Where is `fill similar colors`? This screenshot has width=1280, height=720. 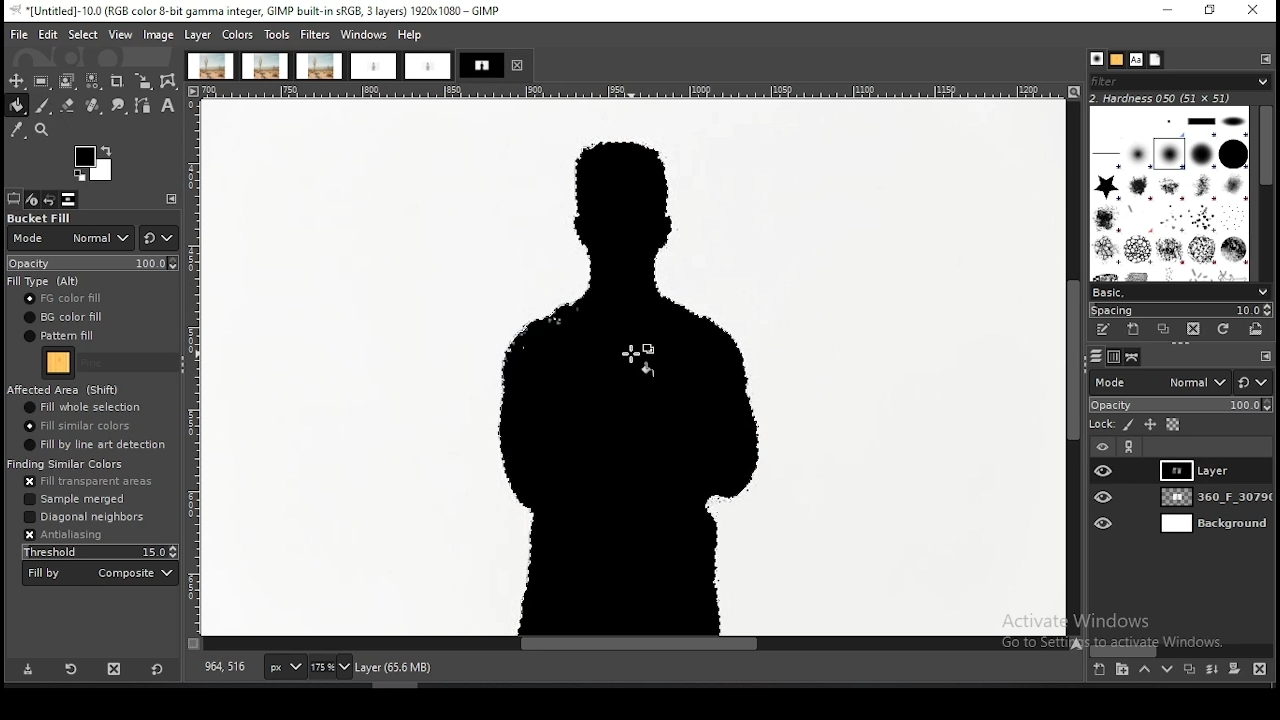
fill similar colors is located at coordinates (77, 425).